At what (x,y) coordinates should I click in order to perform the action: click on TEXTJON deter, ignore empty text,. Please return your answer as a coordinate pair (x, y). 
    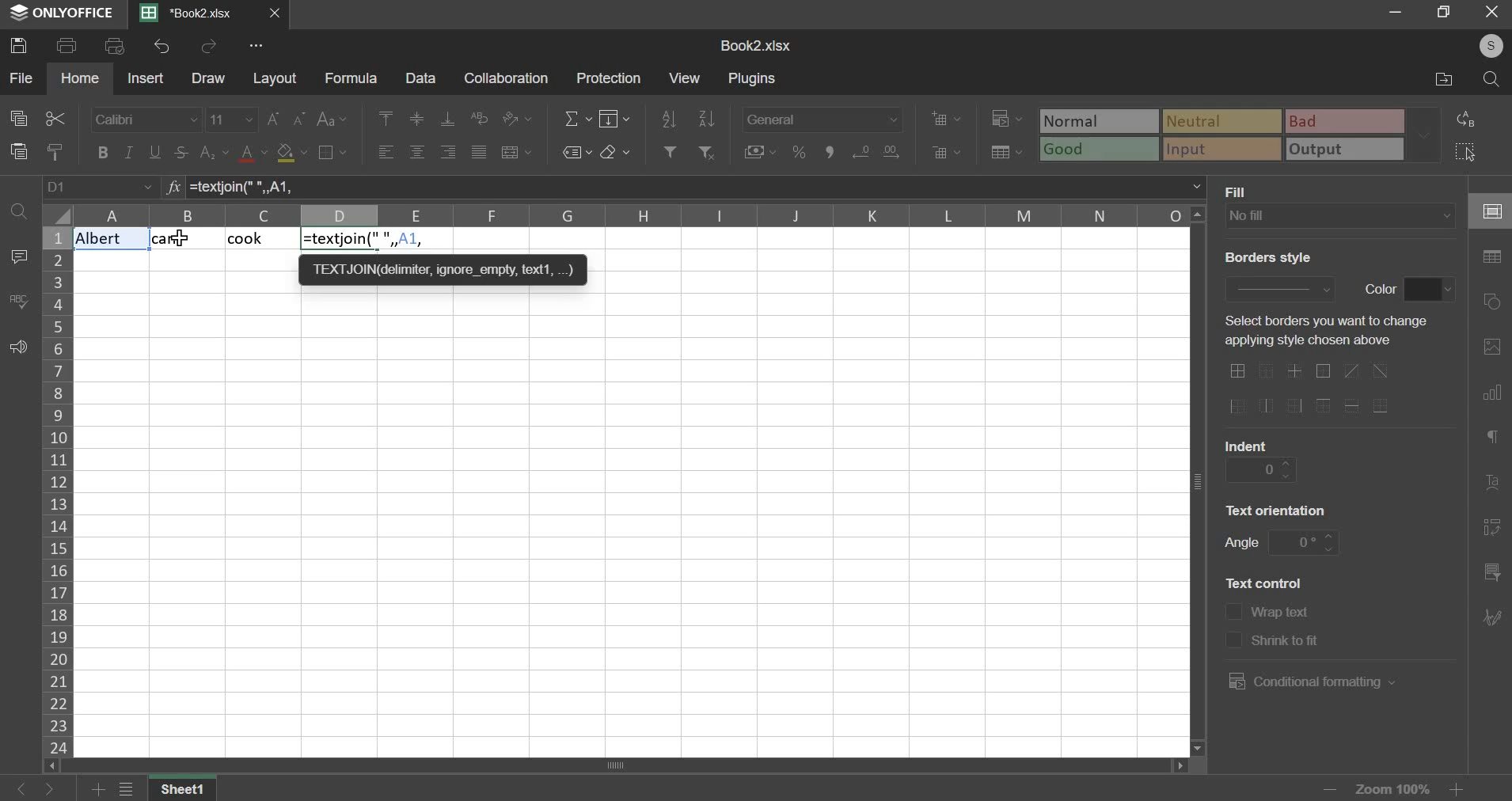
    Looking at the image, I should click on (443, 268).